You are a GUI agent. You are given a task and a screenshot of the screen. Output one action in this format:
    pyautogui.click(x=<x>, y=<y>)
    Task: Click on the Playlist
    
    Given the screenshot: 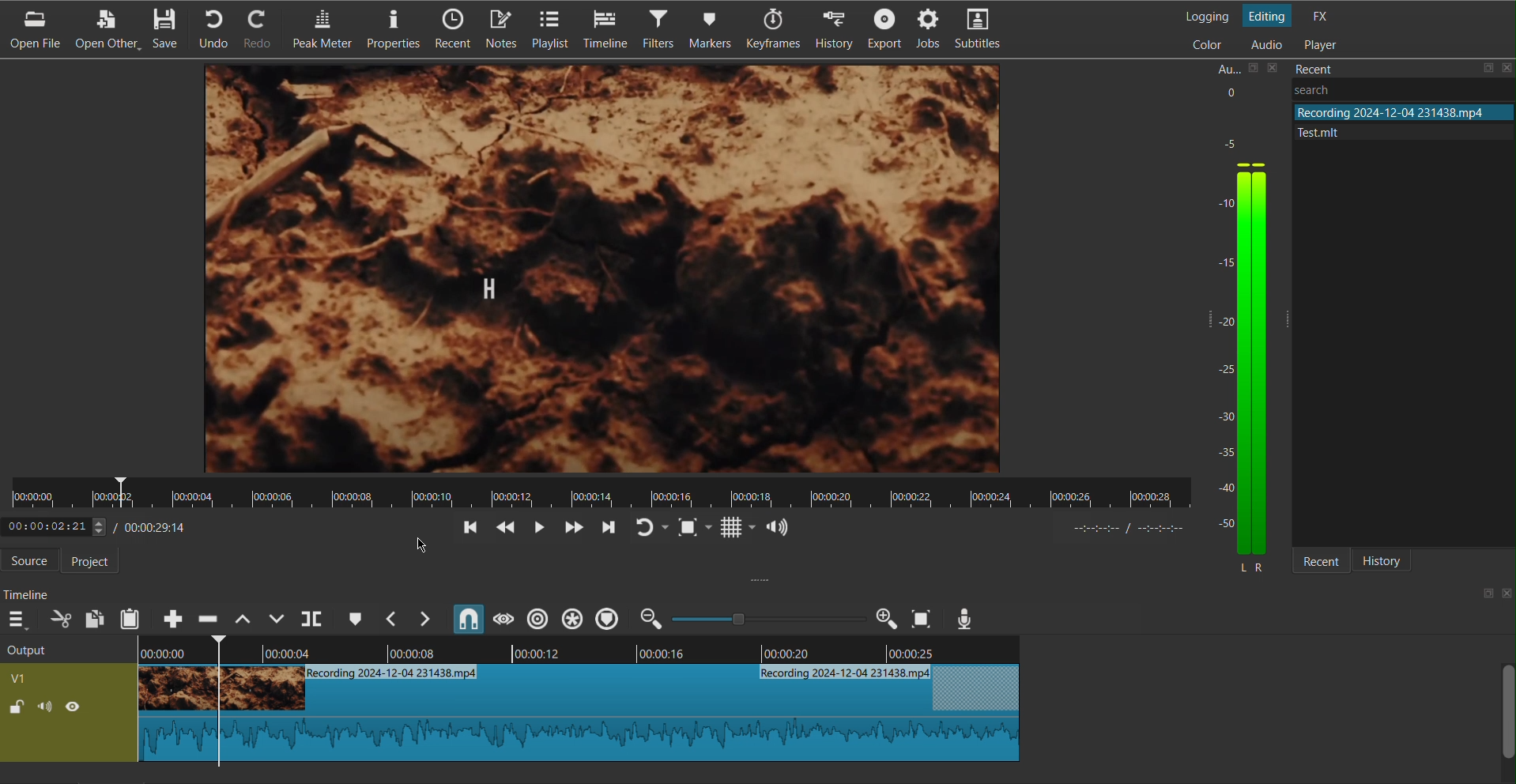 What is the action you would take?
    pyautogui.click(x=555, y=28)
    